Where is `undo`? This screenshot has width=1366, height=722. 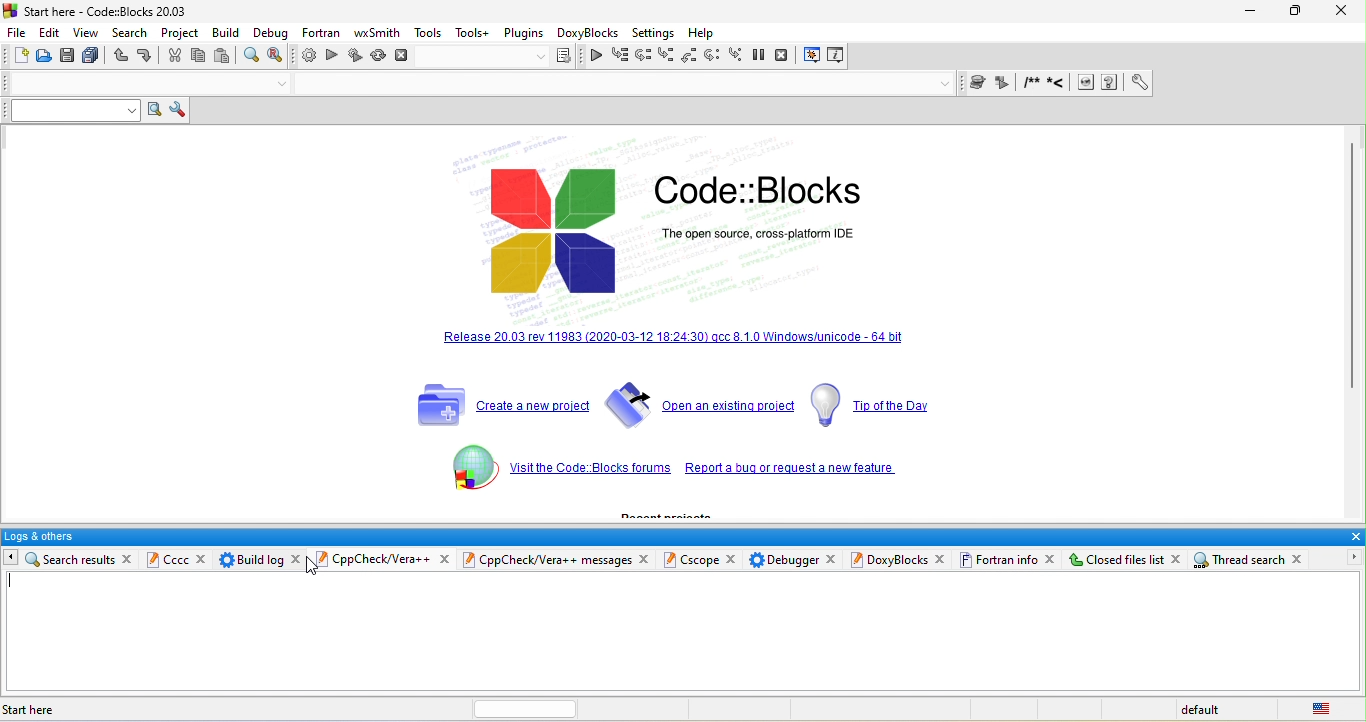 undo is located at coordinates (122, 56).